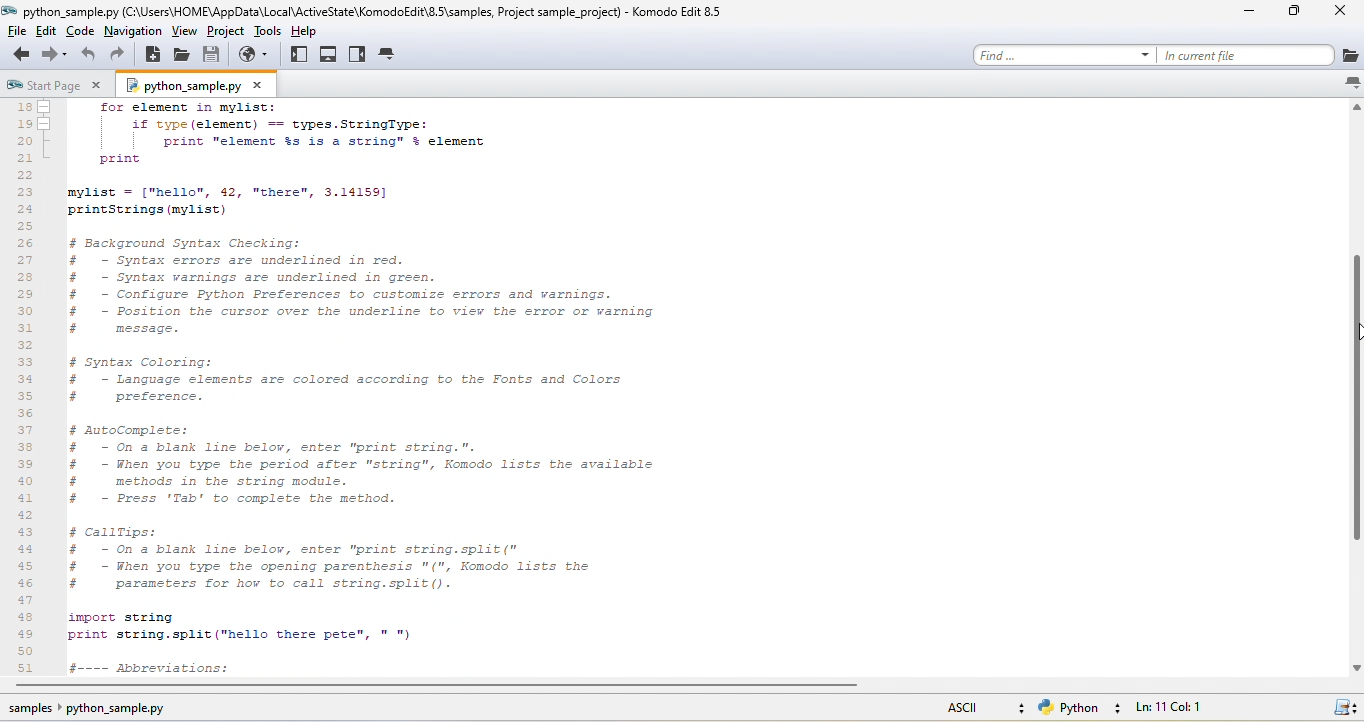  What do you see at coordinates (640, 388) in the screenshot?
I see `scrolled through file contents` at bounding box center [640, 388].